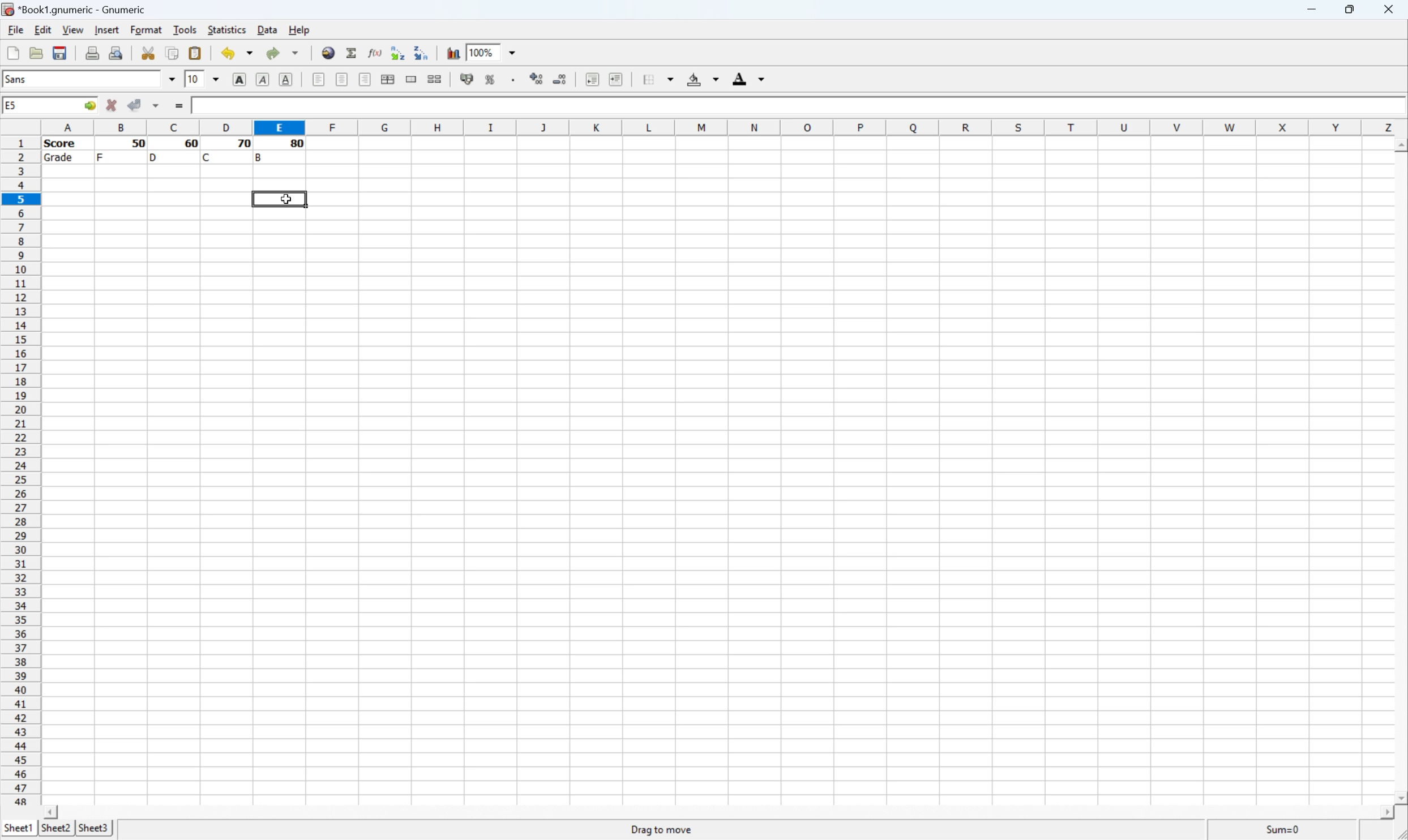  What do you see at coordinates (298, 145) in the screenshot?
I see `80` at bounding box center [298, 145].